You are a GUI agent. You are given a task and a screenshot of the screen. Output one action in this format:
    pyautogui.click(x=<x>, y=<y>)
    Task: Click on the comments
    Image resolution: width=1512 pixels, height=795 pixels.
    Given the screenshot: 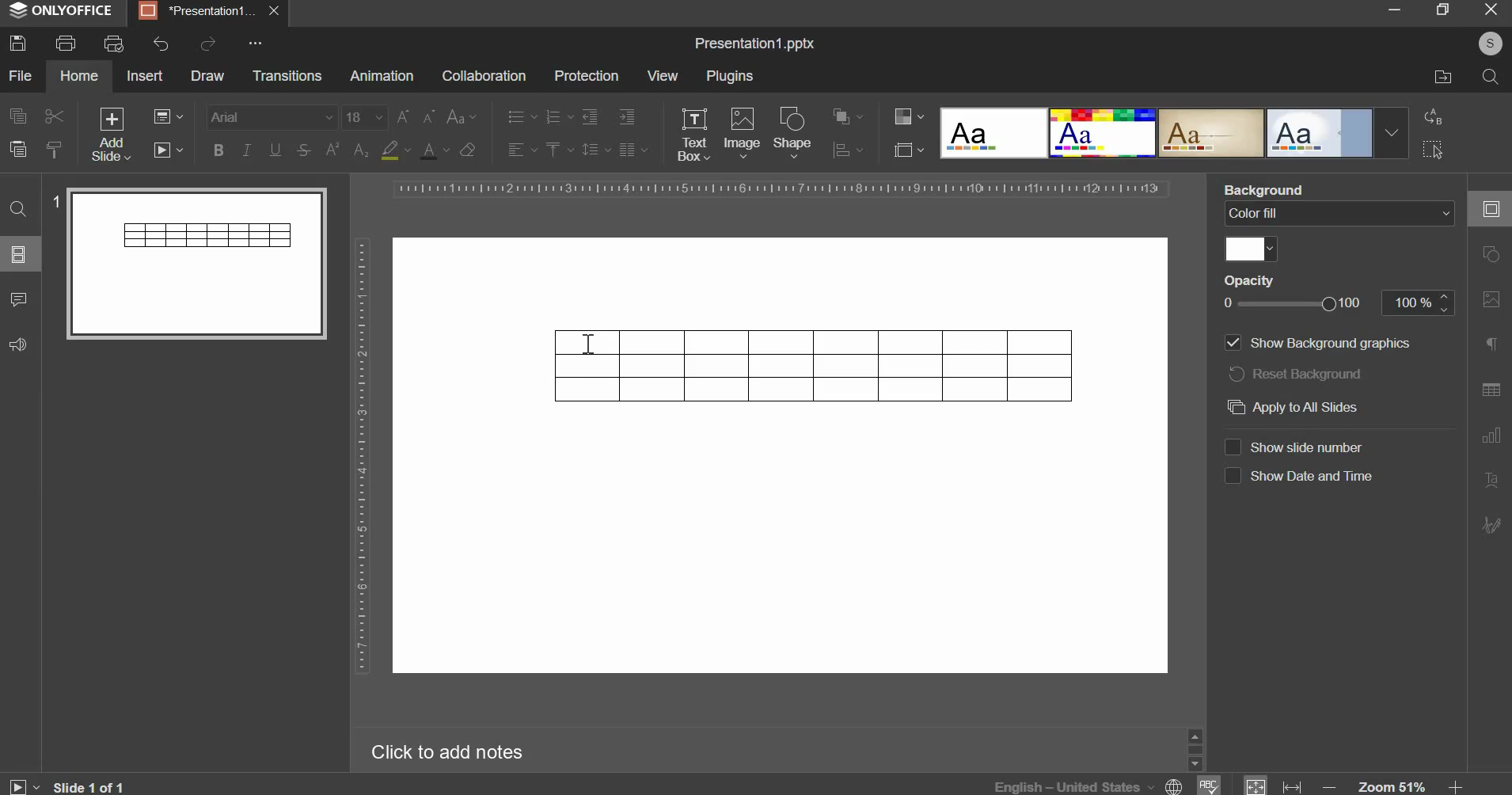 What is the action you would take?
    pyautogui.click(x=18, y=299)
    